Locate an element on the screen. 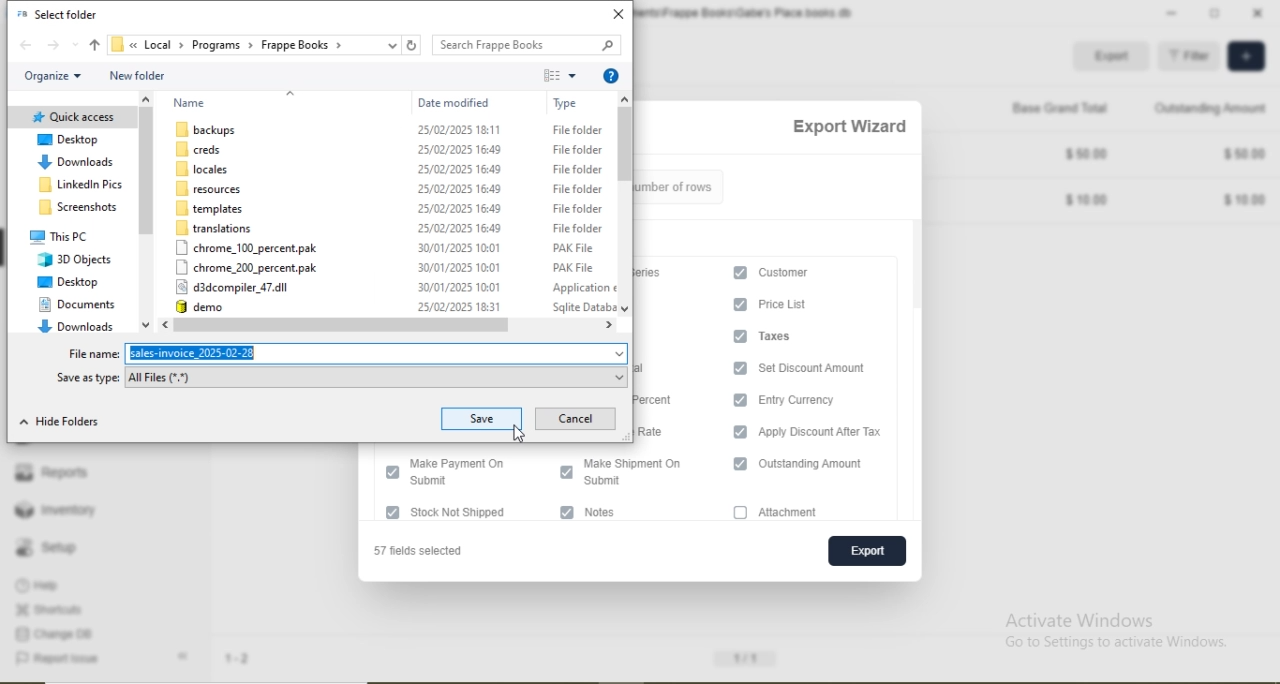 The height and width of the screenshot is (684, 1280). Stock Not Shipped is located at coordinates (475, 513).